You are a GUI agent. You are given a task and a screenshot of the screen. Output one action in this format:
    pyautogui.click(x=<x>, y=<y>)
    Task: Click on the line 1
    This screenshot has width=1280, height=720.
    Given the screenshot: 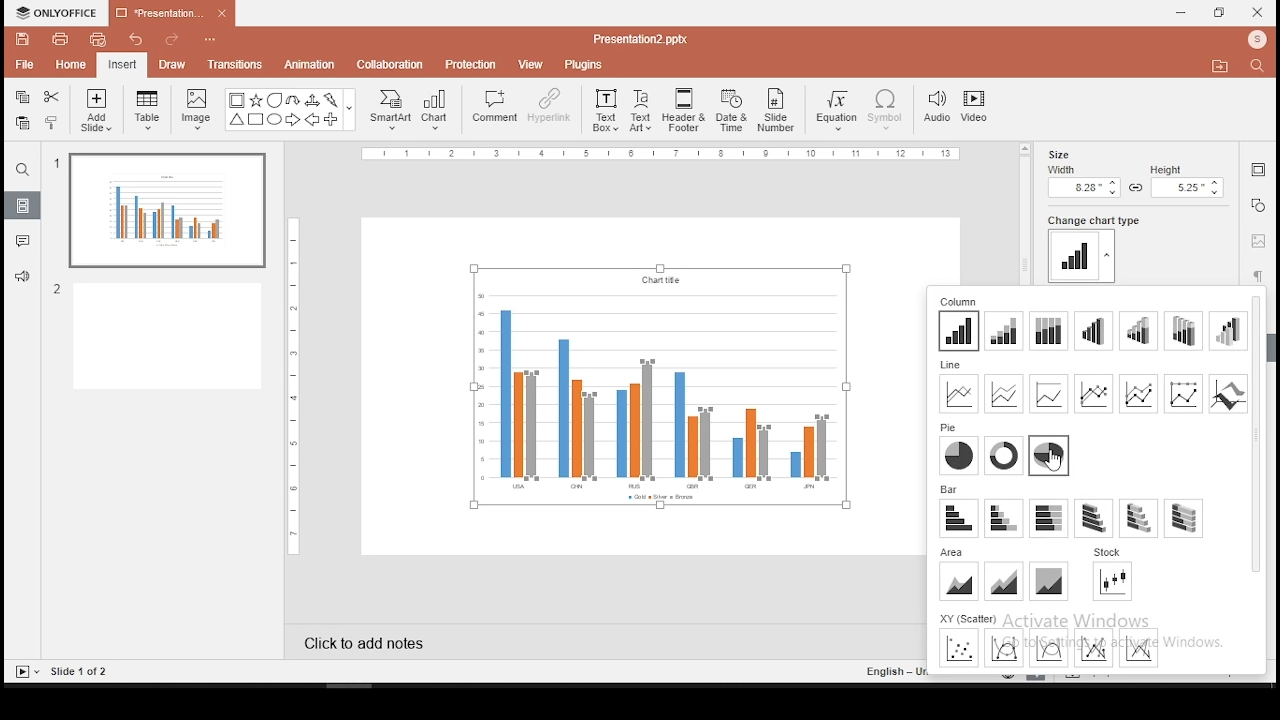 What is the action you would take?
    pyautogui.click(x=959, y=393)
    